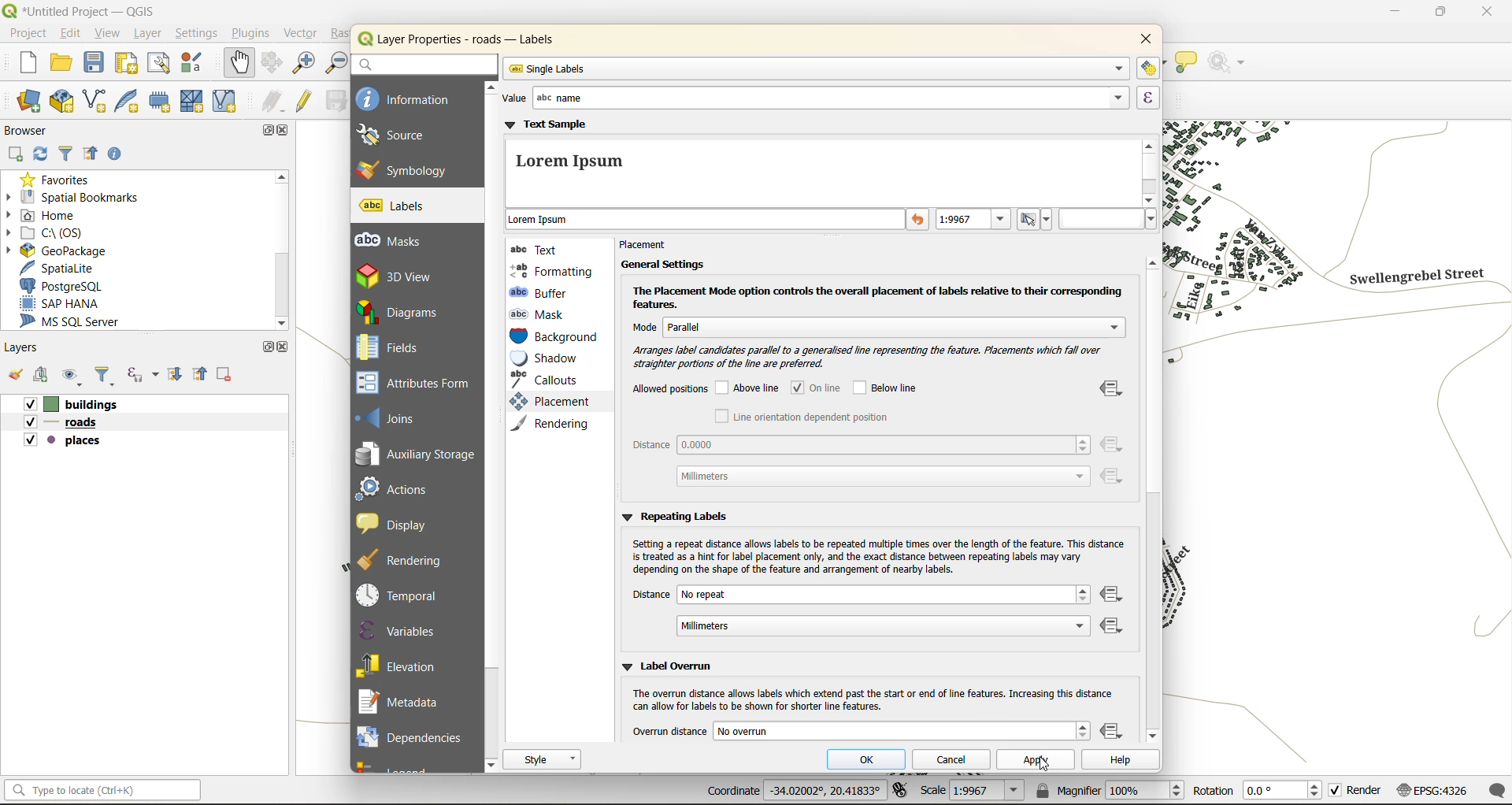 Image resolution: width=1512 pixels, height=805 pixels. I want to click on new, so click(22, 63).